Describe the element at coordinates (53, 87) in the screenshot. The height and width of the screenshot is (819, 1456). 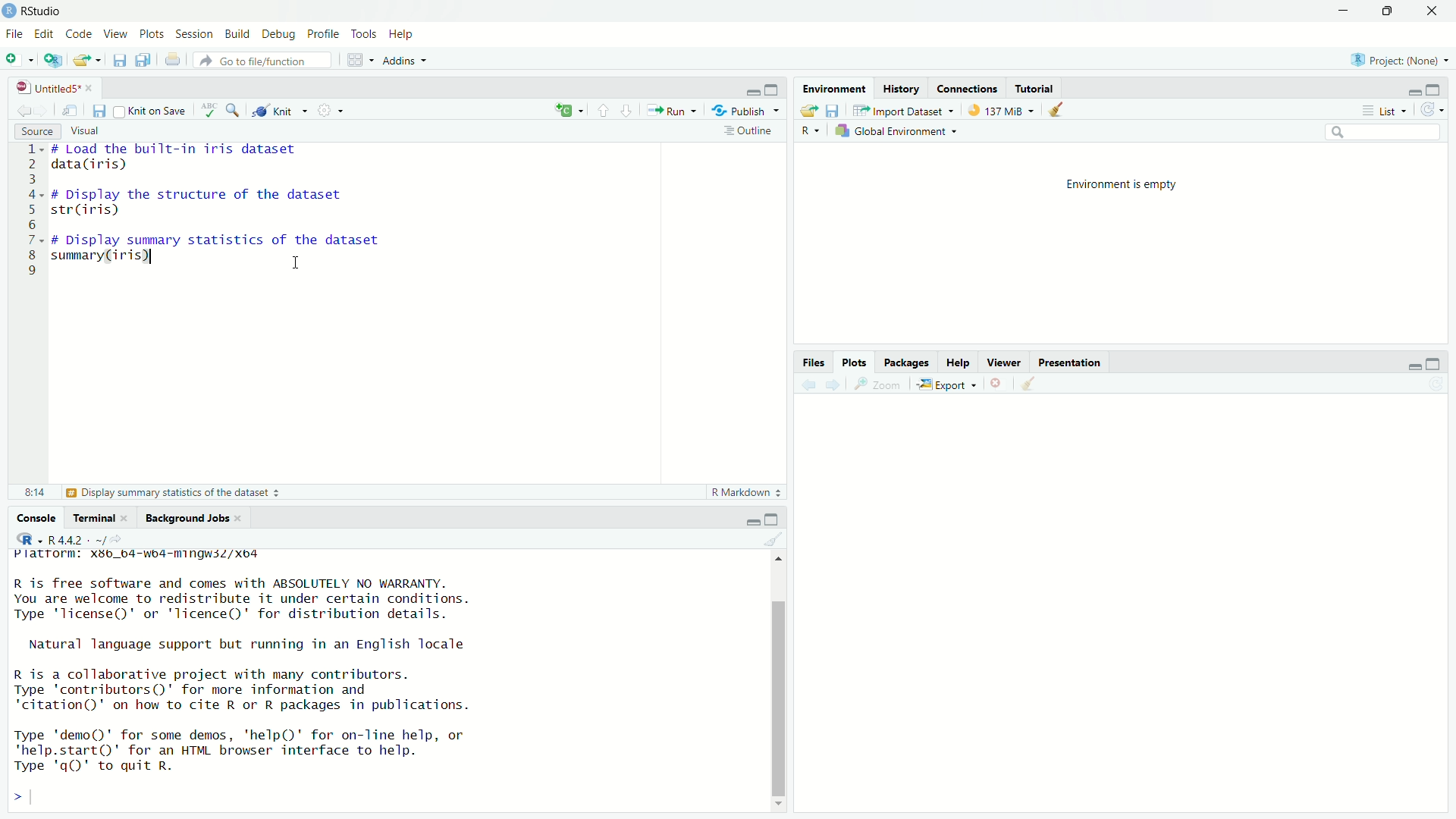
I see `Untitled5*` at that location.